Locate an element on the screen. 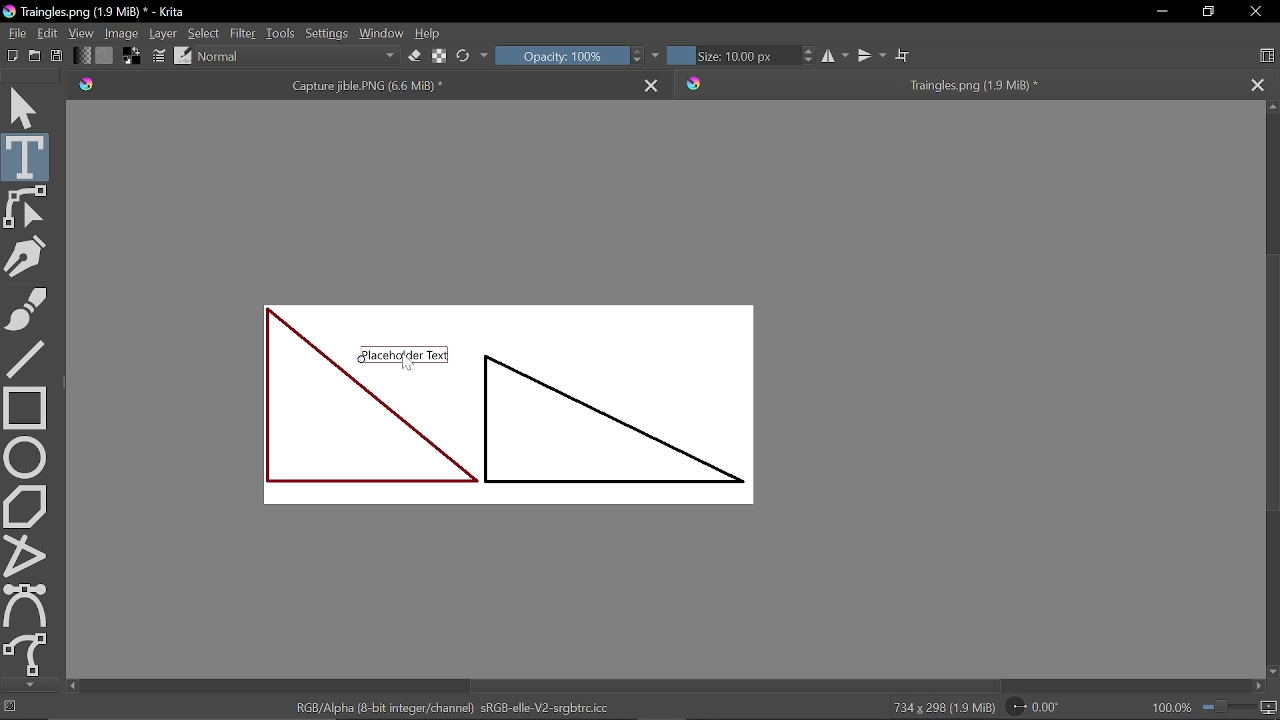 This screenshot has width=1280, height=720. Vertical mirror is located at coordinates (870, 55).